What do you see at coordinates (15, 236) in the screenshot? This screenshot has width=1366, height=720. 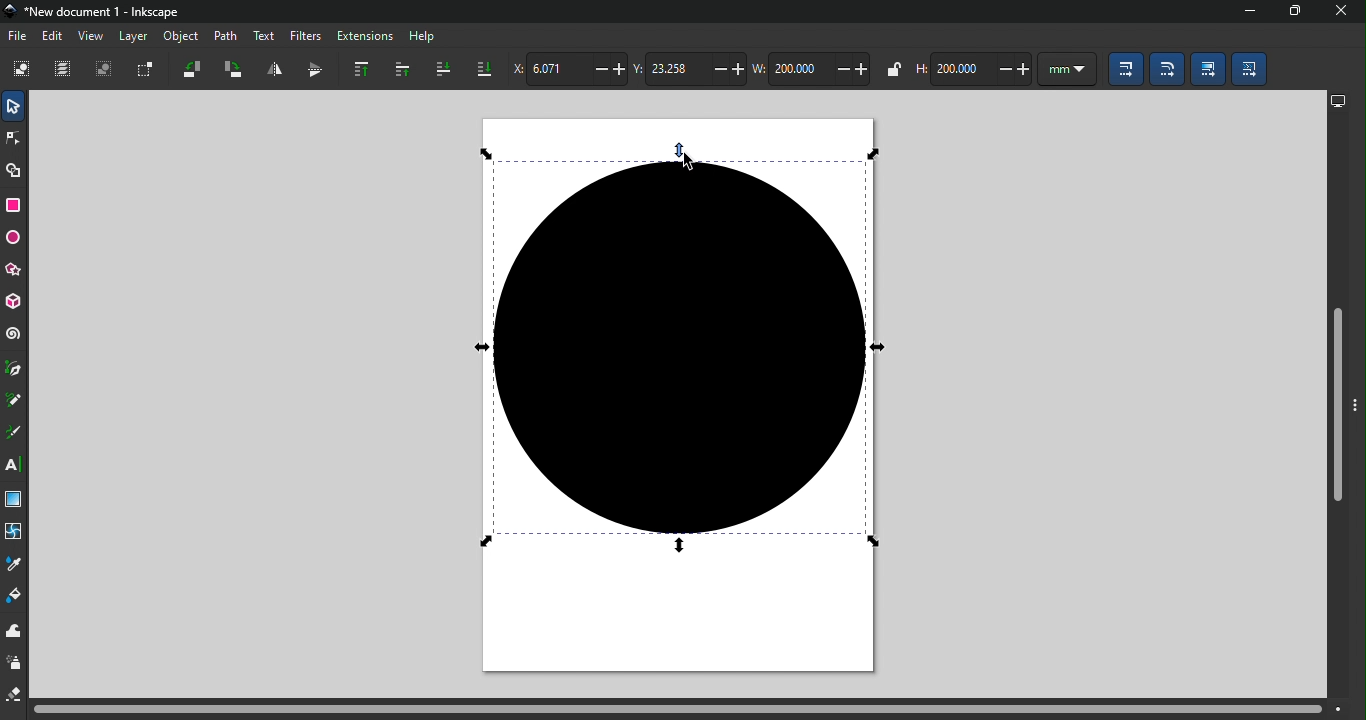 I see `Ellipse/arc tool` at bounding box center [15, 236].